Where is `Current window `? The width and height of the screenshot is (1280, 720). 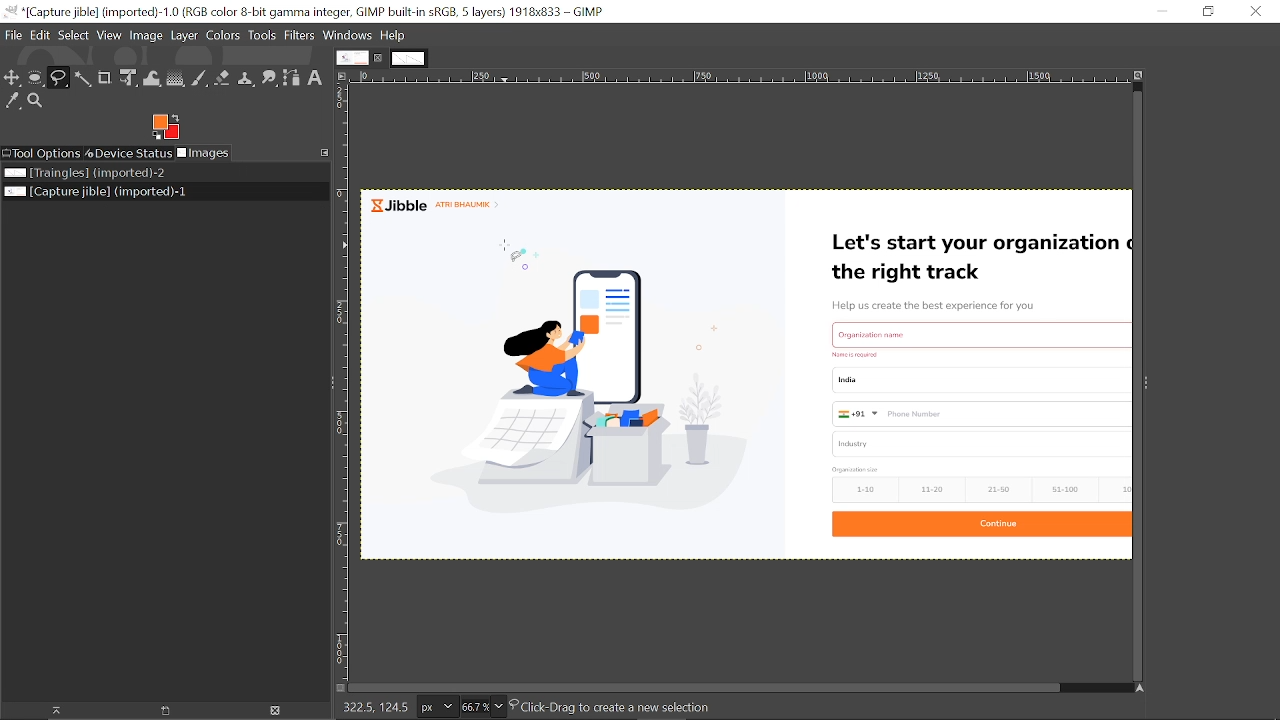 Current window  is located at coordinates (310, 12).